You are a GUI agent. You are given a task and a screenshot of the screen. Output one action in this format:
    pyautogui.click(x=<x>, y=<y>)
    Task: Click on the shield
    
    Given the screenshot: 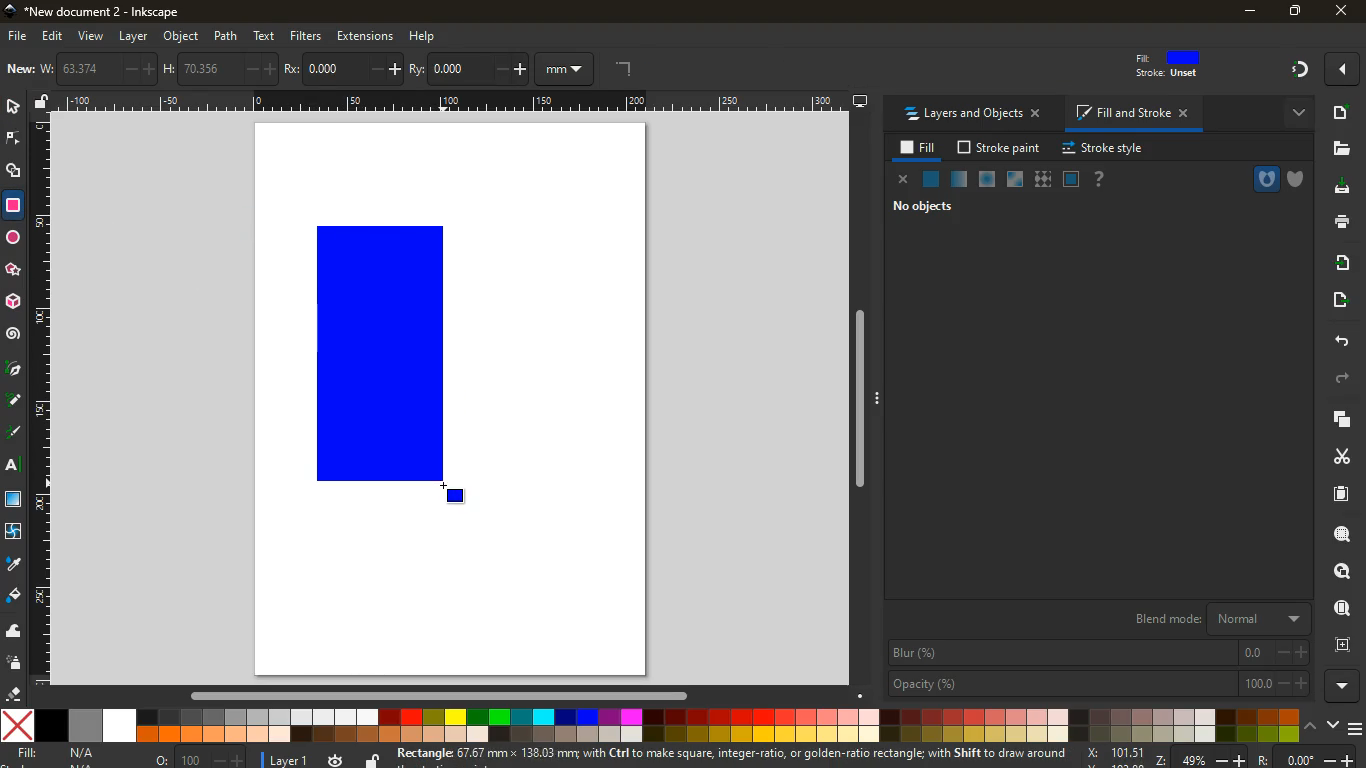 What is the action you would take?
    pyautogui.click(x=1293, y=179)
    